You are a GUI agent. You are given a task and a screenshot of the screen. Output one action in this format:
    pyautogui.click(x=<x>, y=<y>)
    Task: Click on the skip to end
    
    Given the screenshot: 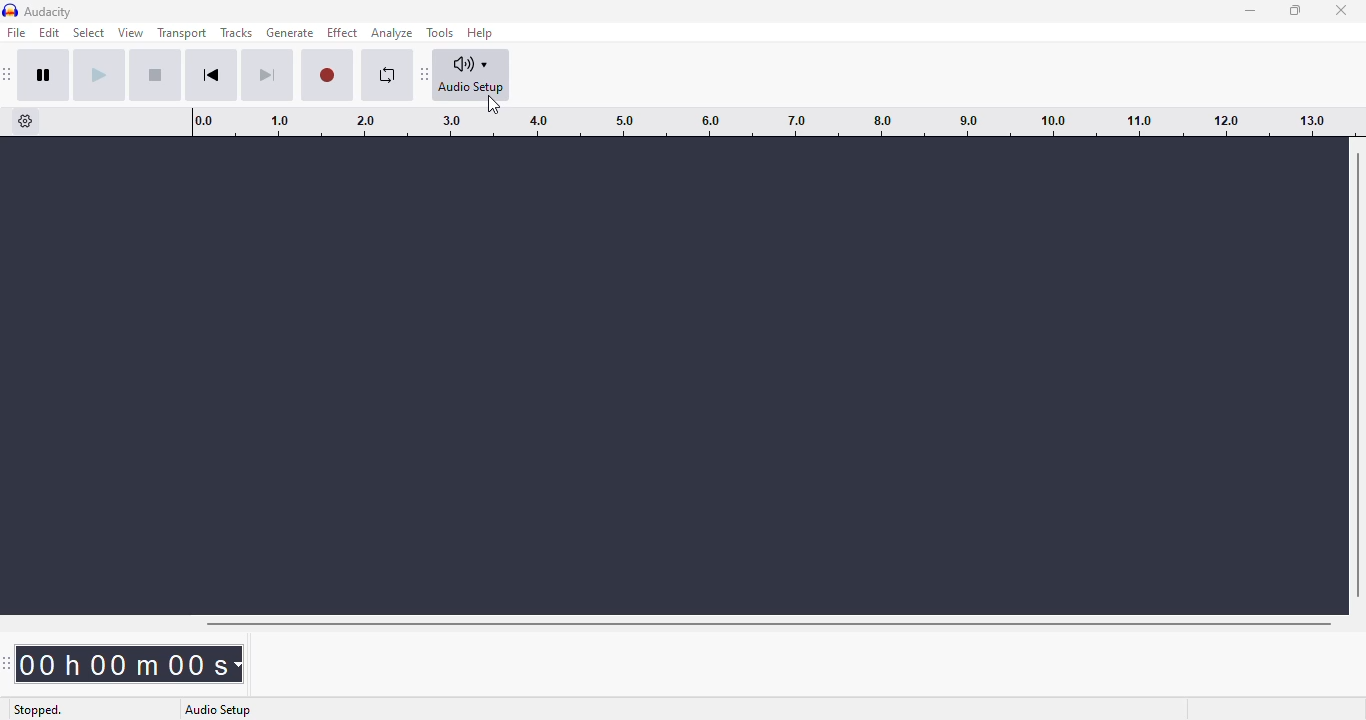 What is the action you would take?
    pyautogui.click(x=266, y=76)
    